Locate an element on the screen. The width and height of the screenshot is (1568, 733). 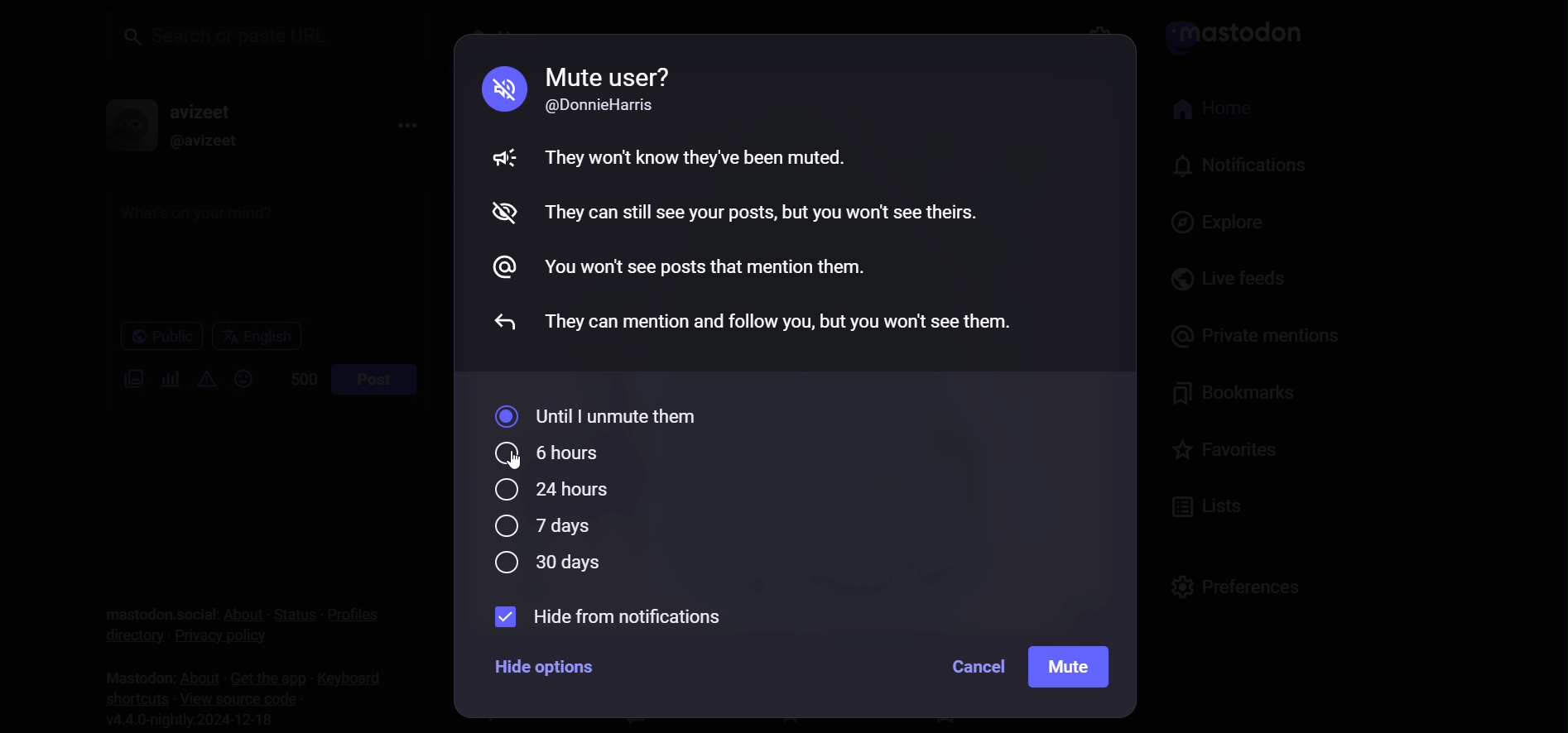
@DonnieHarris is located at coordinates (608, 107).